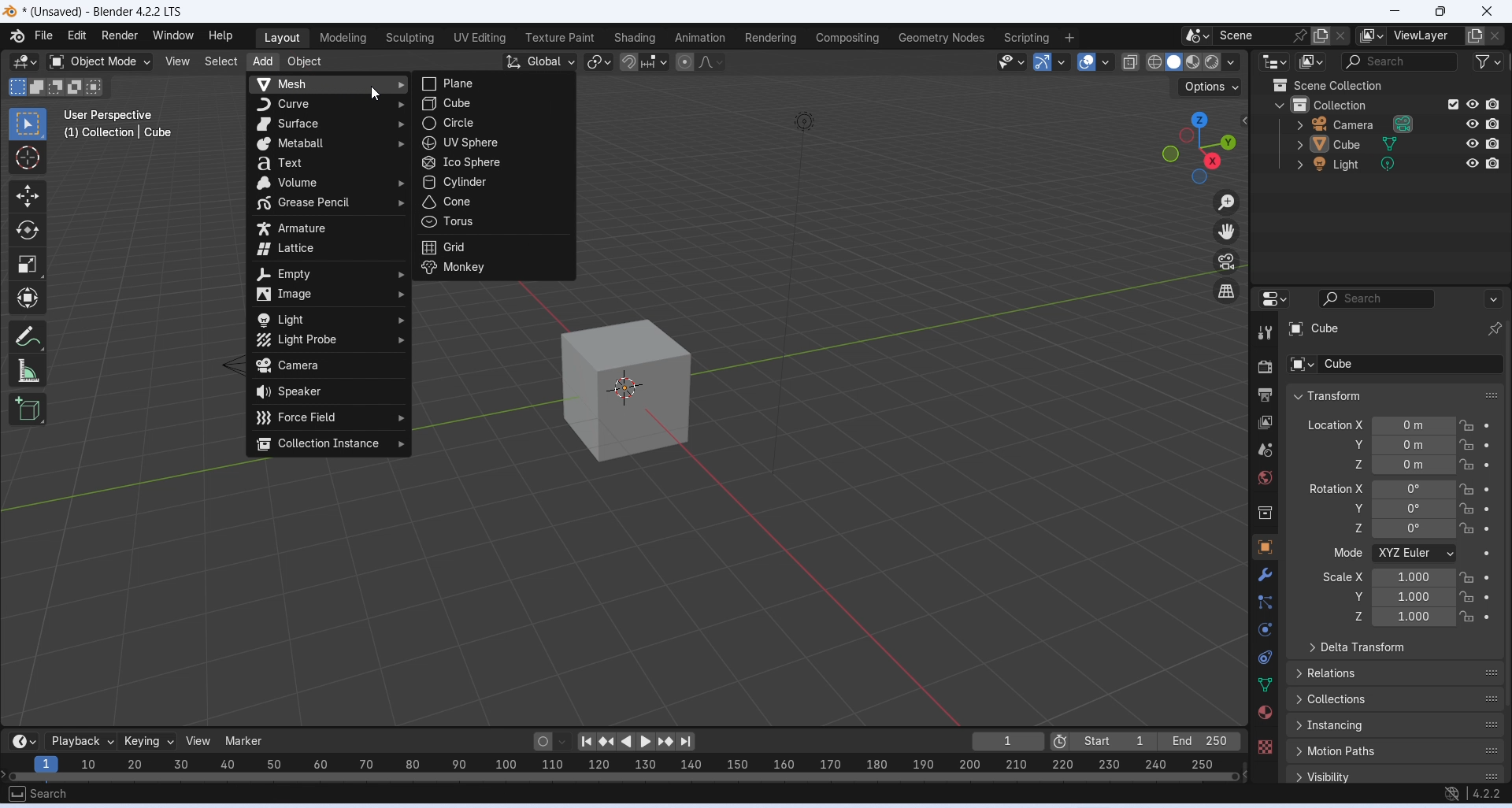 The width and height of the screenshot is (1512, 808). What do you see at coordinates (328, 320) in the screenshot?
I see `light` at bounding box center [328, 320].